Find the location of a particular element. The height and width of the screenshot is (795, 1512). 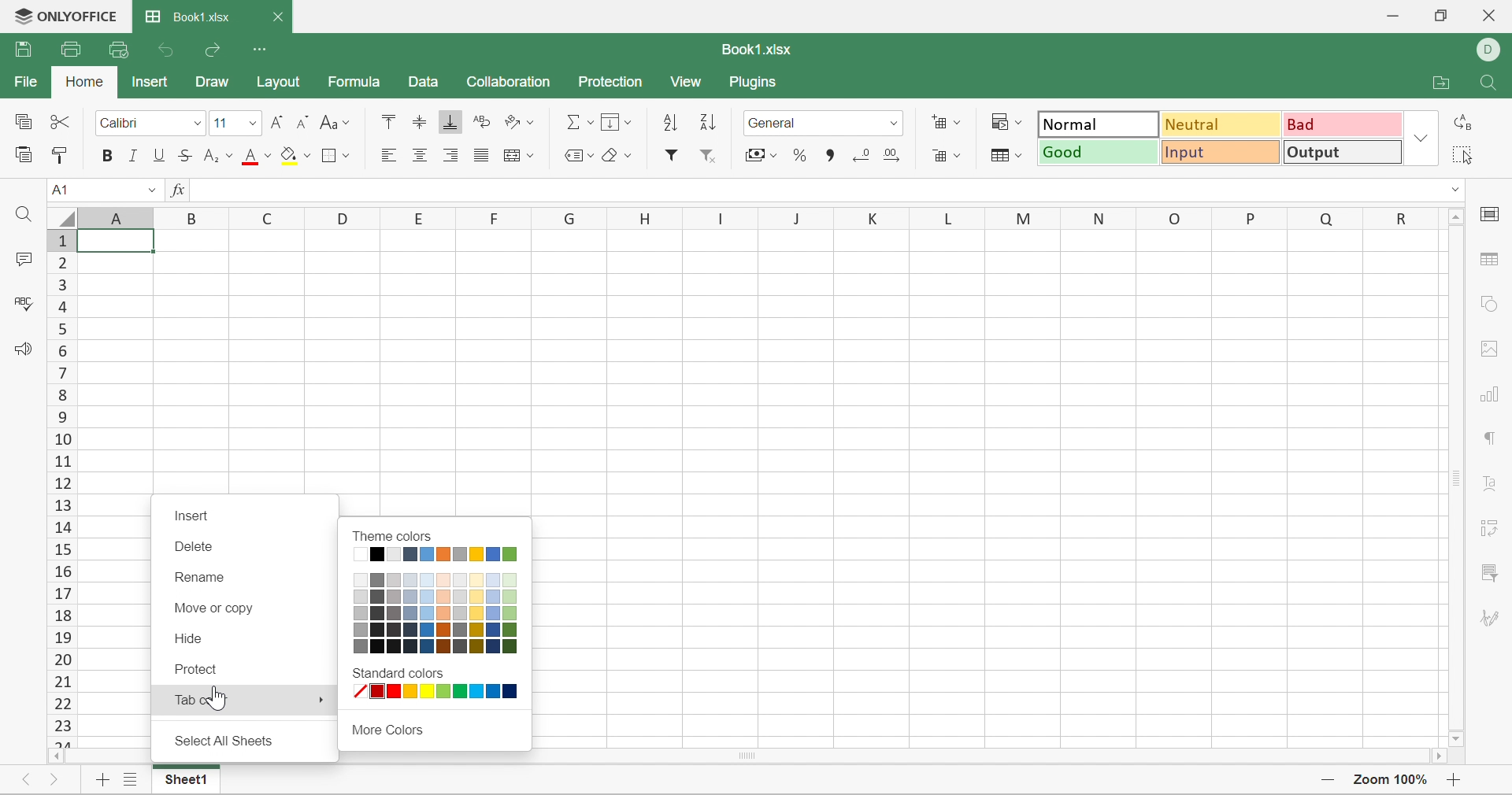

Minimize is located at coordinates (1392, 16).